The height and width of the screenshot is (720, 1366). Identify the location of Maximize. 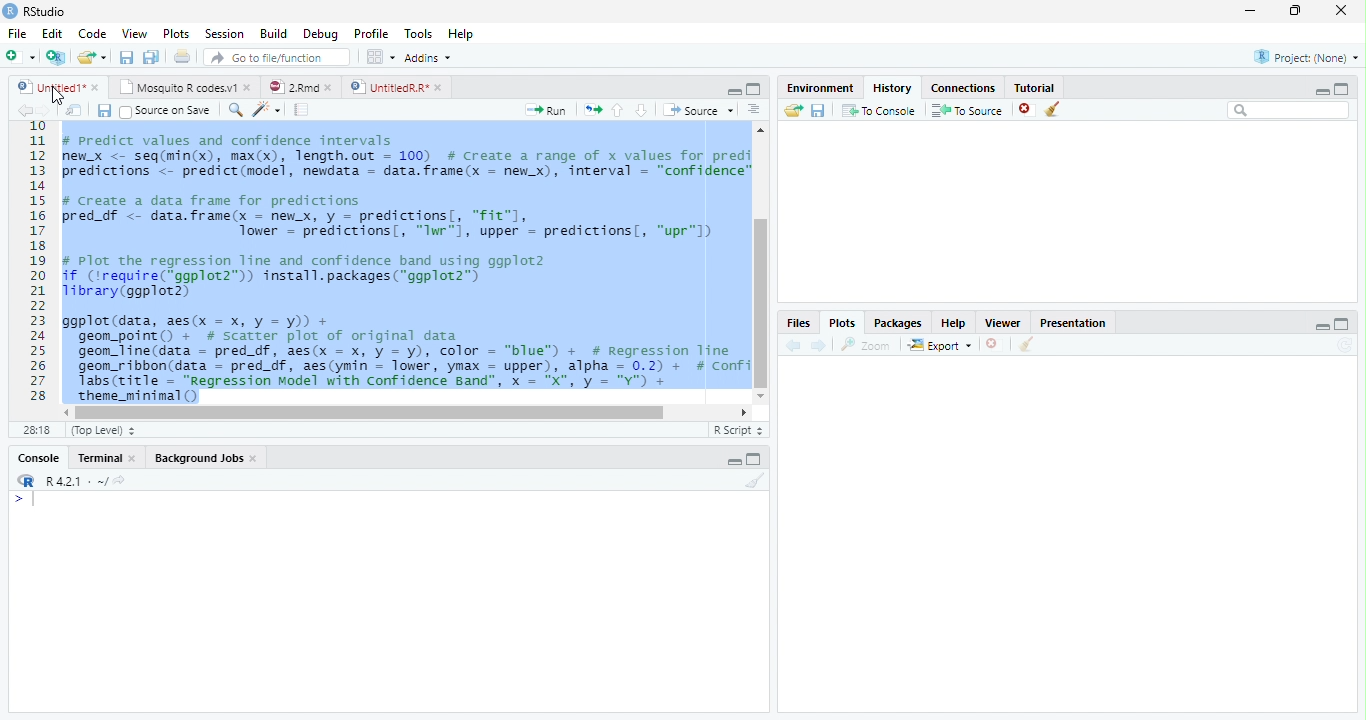
(1340, 325).